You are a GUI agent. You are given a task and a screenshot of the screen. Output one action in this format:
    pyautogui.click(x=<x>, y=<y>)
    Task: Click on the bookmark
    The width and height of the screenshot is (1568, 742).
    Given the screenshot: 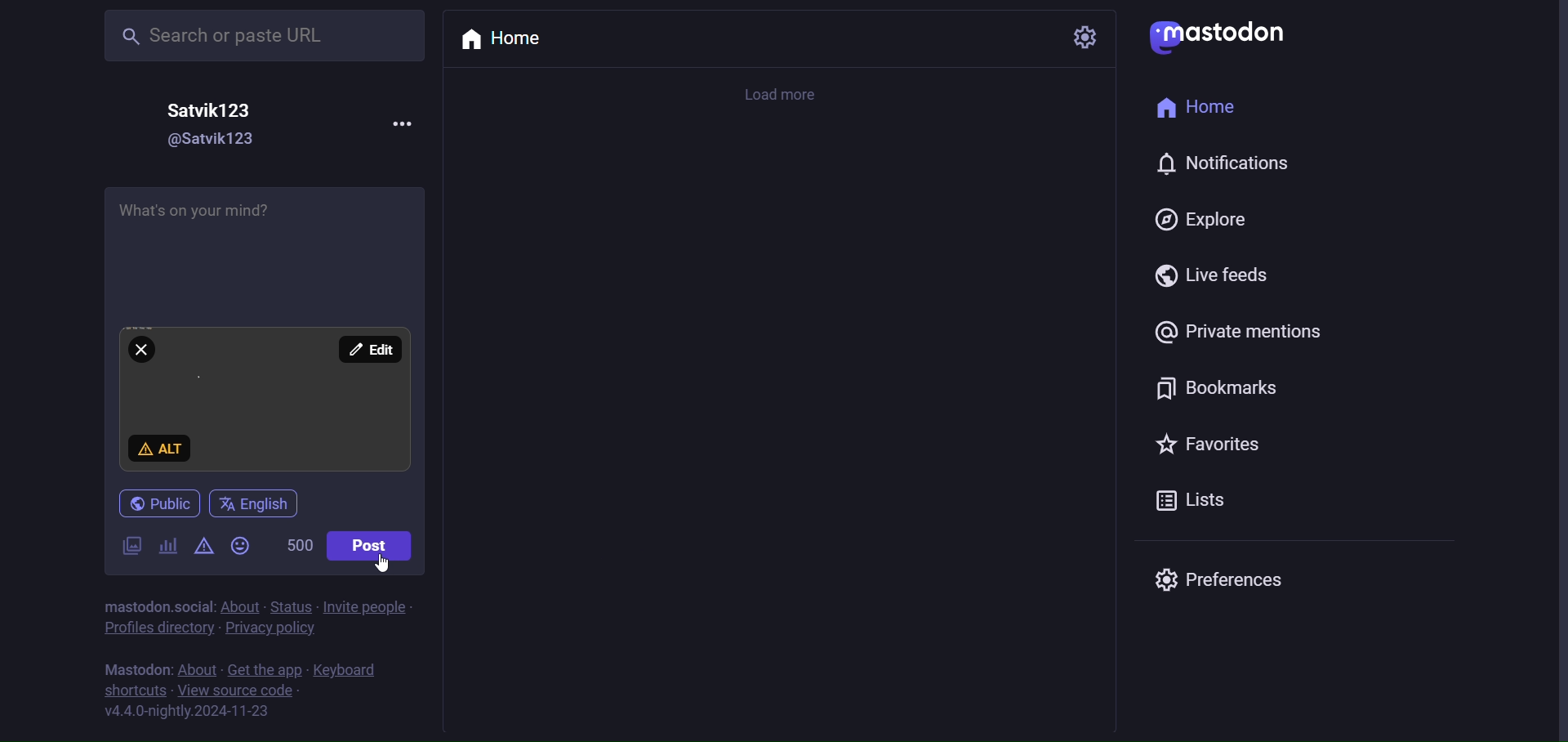 What is the action you would take?
    pyautogui.click(x=1215, y=391)
    